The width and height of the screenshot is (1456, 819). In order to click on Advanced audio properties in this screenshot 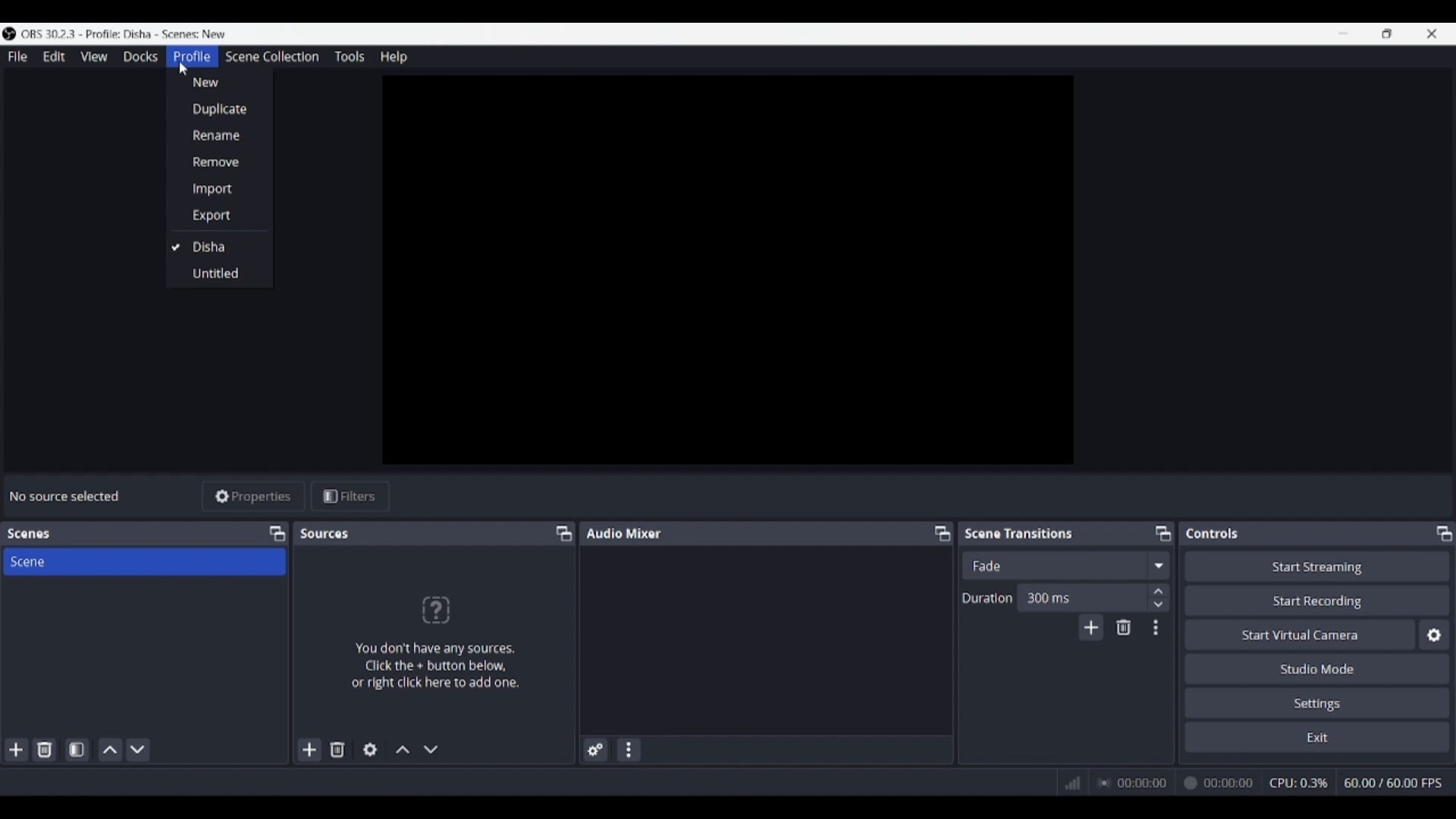, I will do `click(595, 750)`.